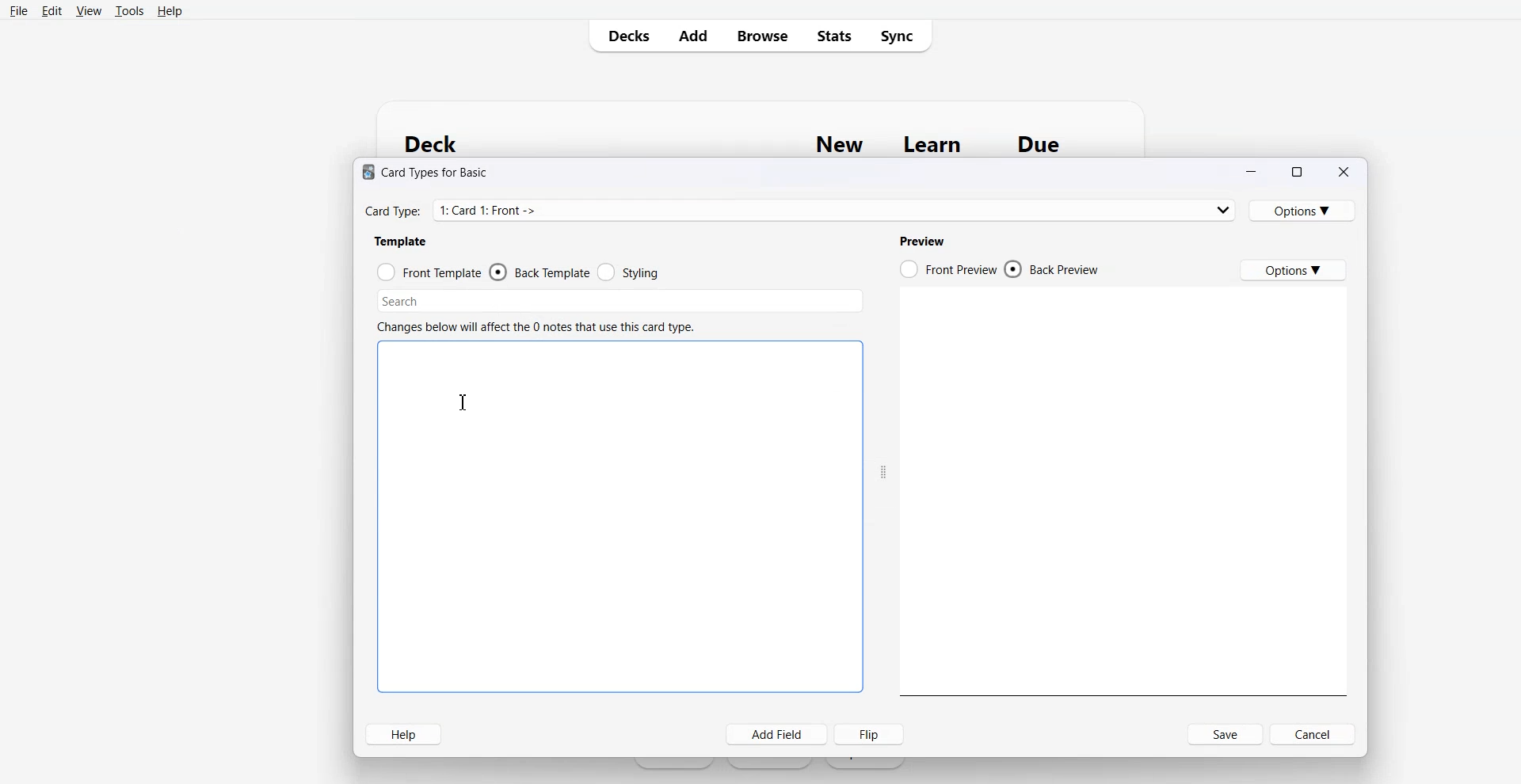 The width and height of the screenshot is (1521, 784). What do you see at coordinates (1226, 734) in the screenshot?
I see `Save` at bounding box center [1226, 734].